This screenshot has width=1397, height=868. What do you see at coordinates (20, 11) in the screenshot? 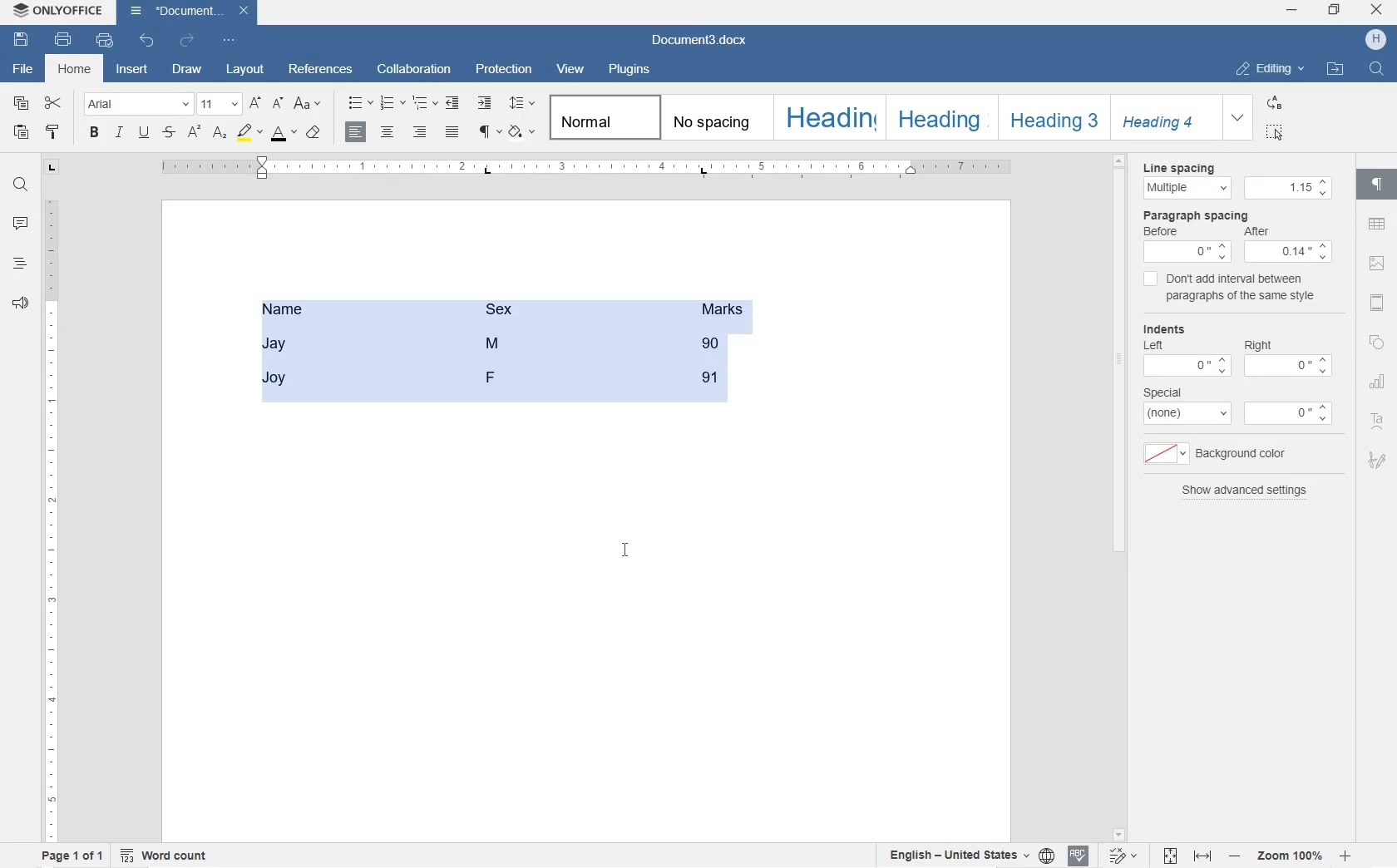
I see `system logo` at bounding box center [20, 11].